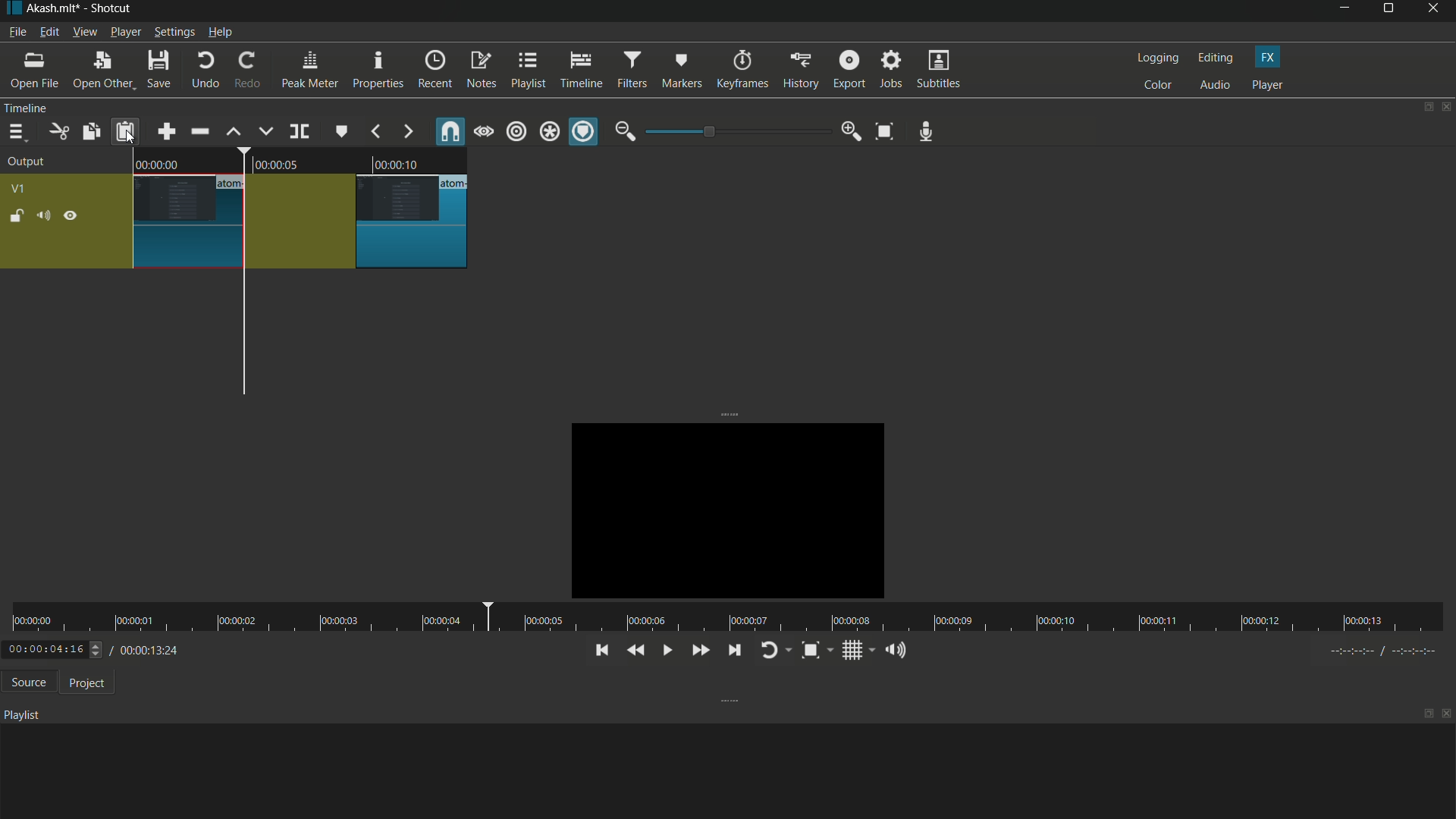 The image size is (1456, 819). What do you see at coordinates (683, 70) in the screenshot?
I see `markers` at bounding box center [683, 70].